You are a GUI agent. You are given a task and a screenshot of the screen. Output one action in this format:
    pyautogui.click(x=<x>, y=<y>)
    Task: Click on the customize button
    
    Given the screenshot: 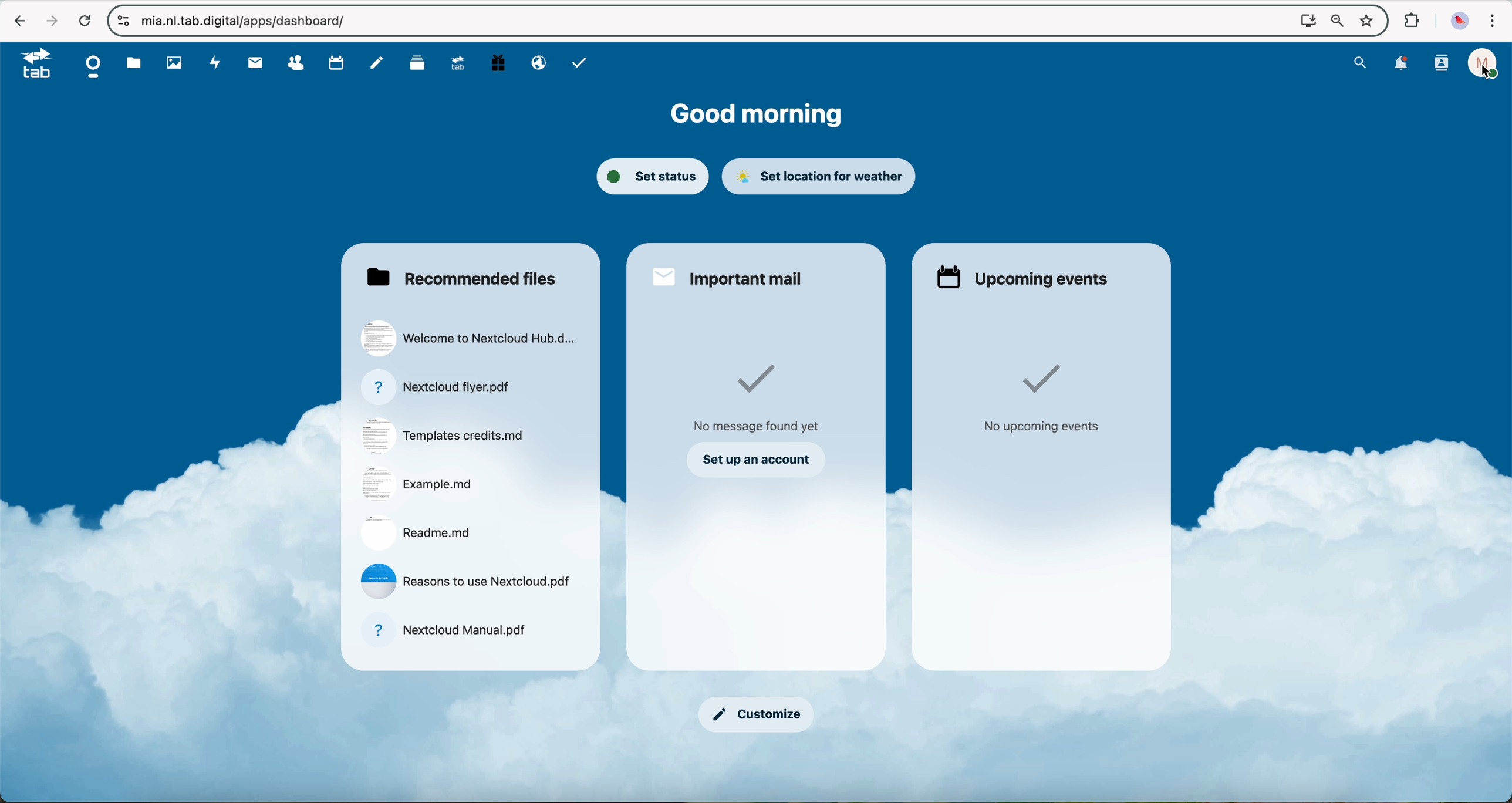 What is the action you would take?
    pyautogui.click(x=755, y=716)
    